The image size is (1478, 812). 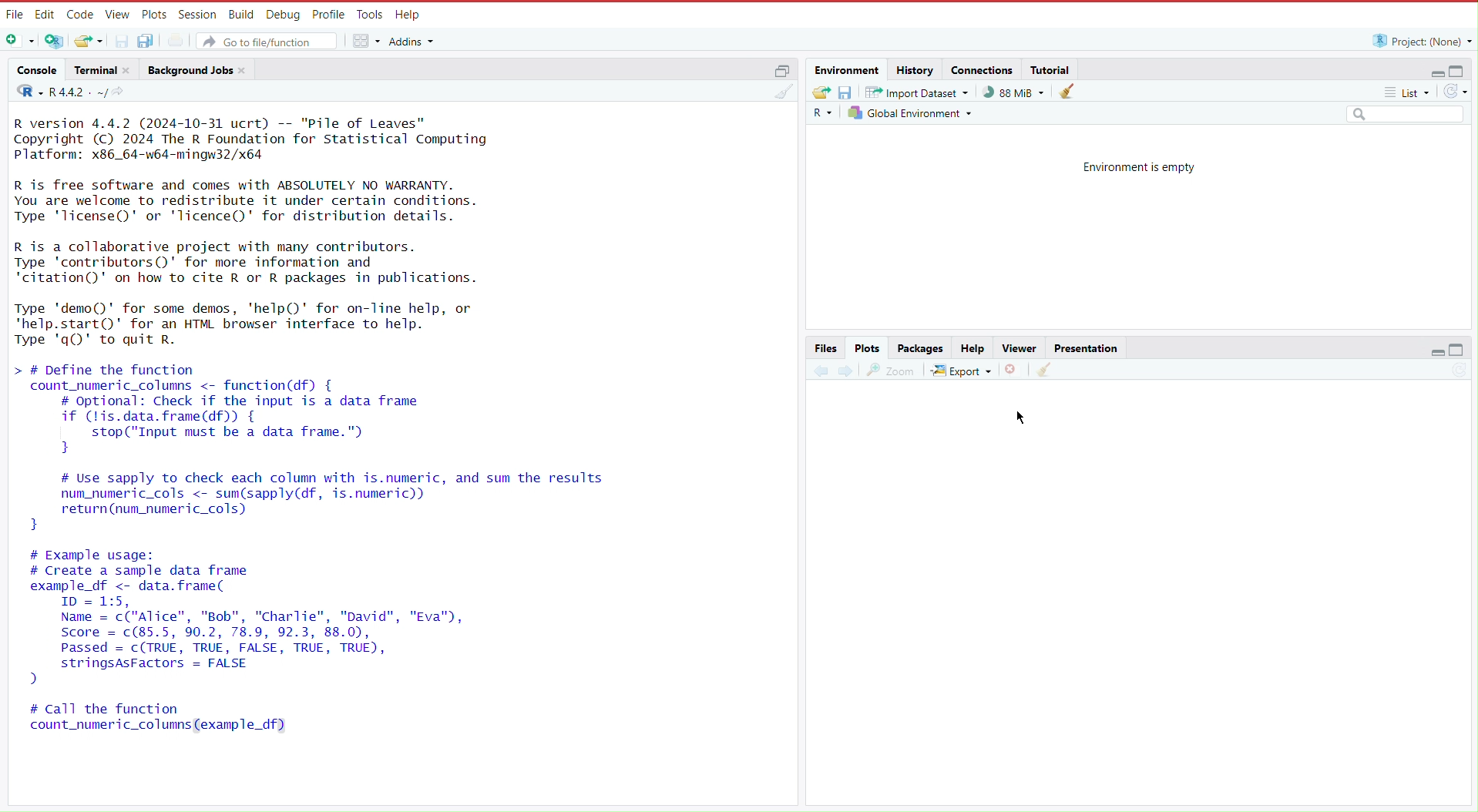 What do you see at coordinates (45, 14) in the screenshot?
I see `Edit` at bounding box center [45, 14].